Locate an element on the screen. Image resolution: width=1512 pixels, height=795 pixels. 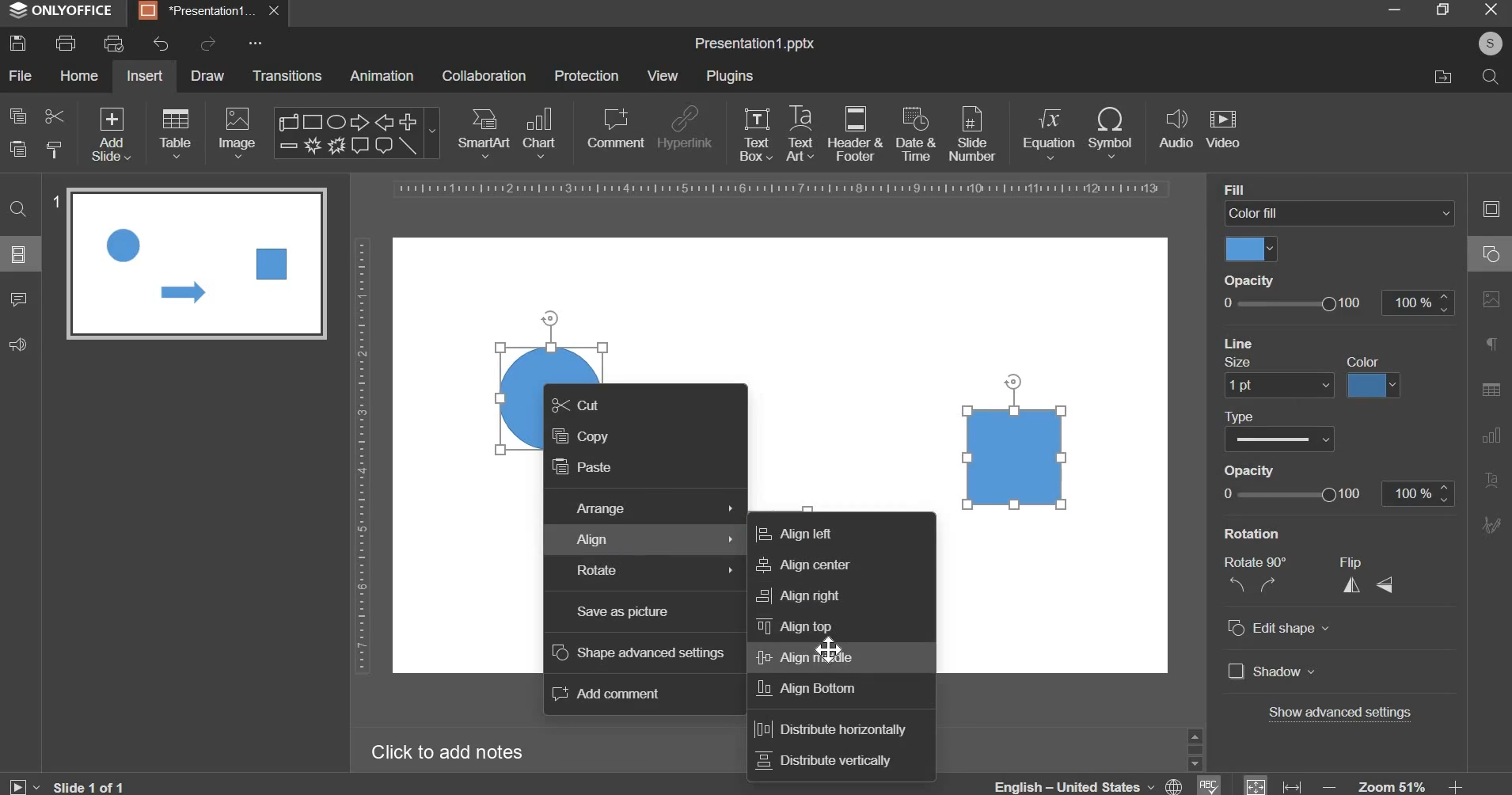
save is located at coordinates (17, 43).